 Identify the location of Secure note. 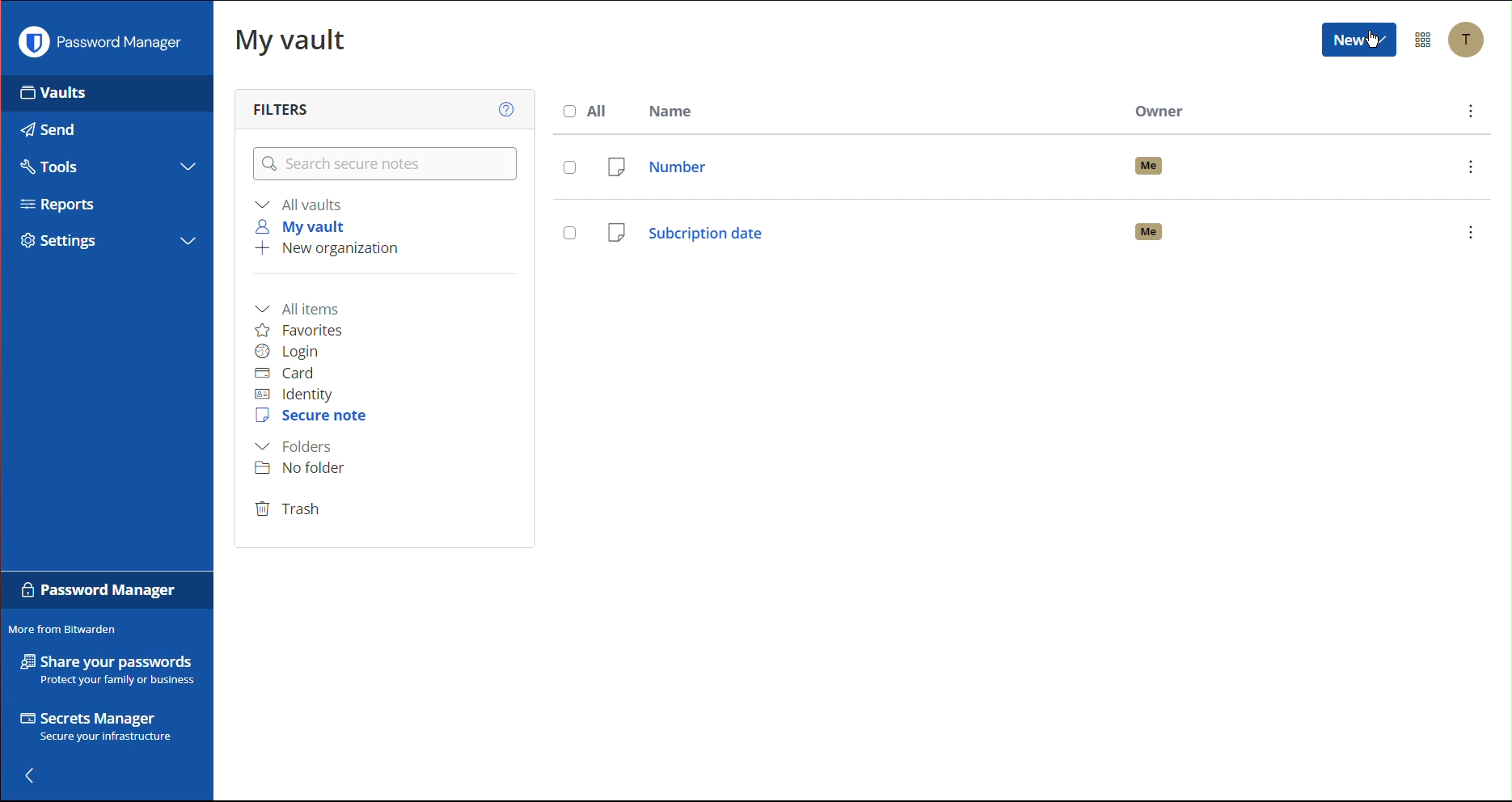
(313, 418).